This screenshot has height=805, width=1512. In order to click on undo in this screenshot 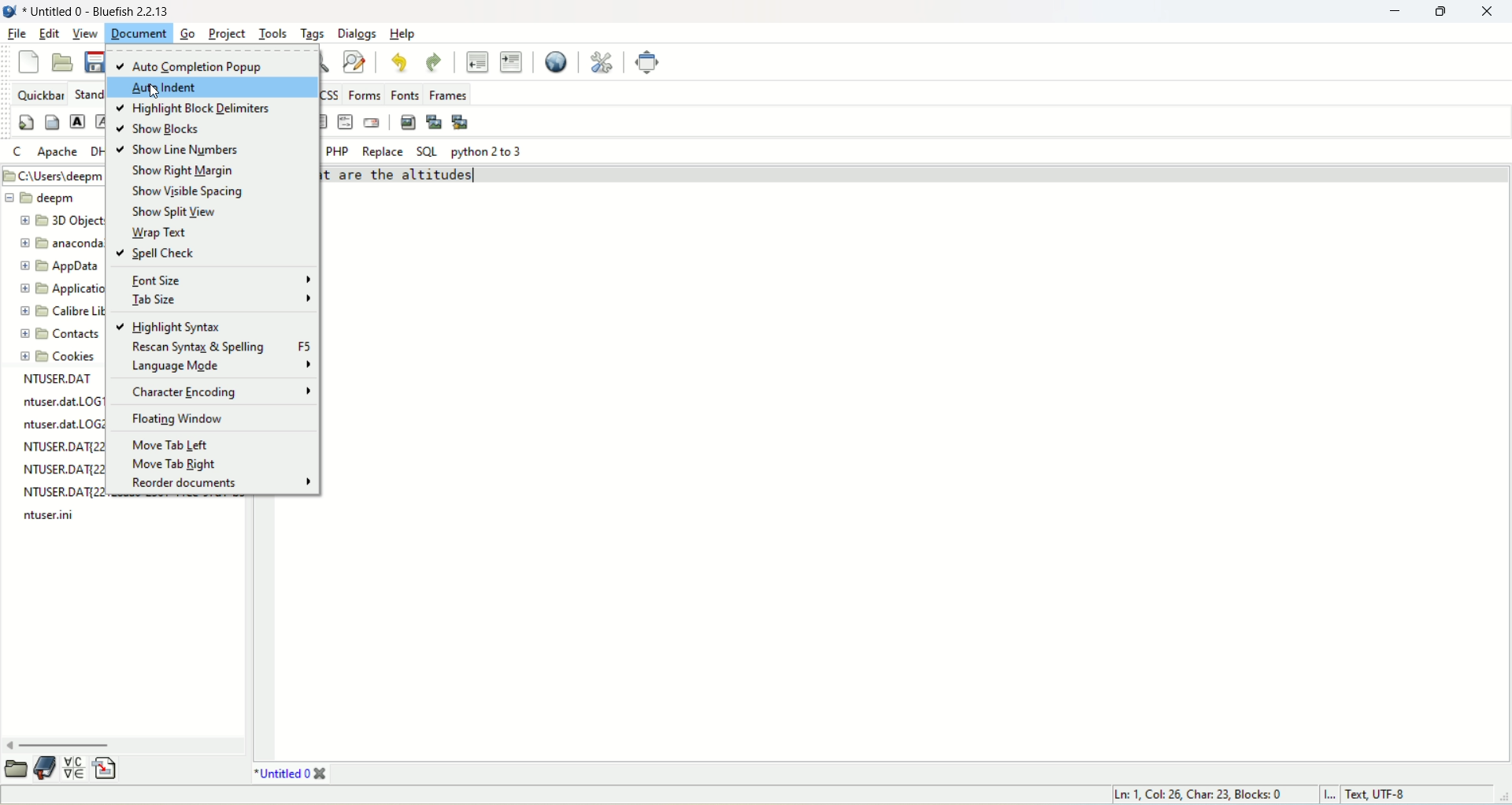, I will do `click(398, 63)`.